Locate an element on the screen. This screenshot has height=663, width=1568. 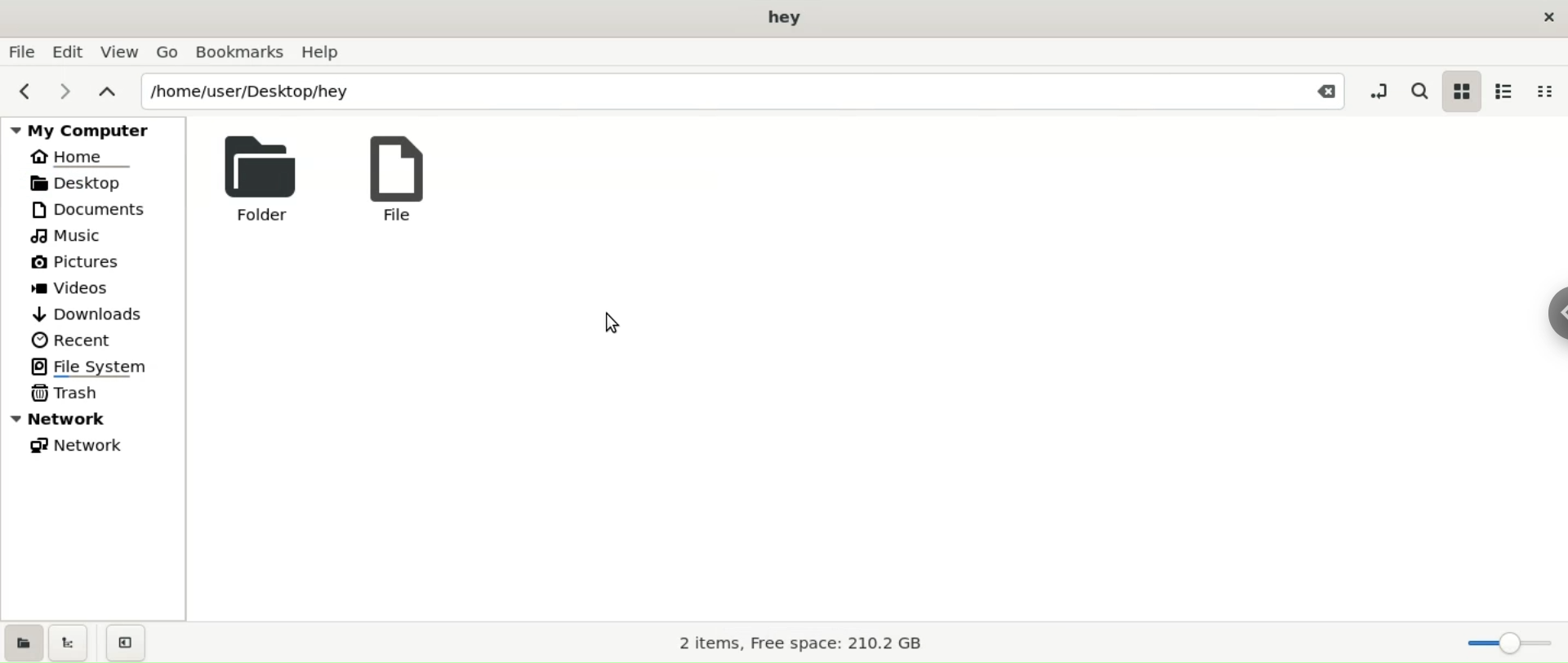
icon view is located at coordinates (1463, 93).